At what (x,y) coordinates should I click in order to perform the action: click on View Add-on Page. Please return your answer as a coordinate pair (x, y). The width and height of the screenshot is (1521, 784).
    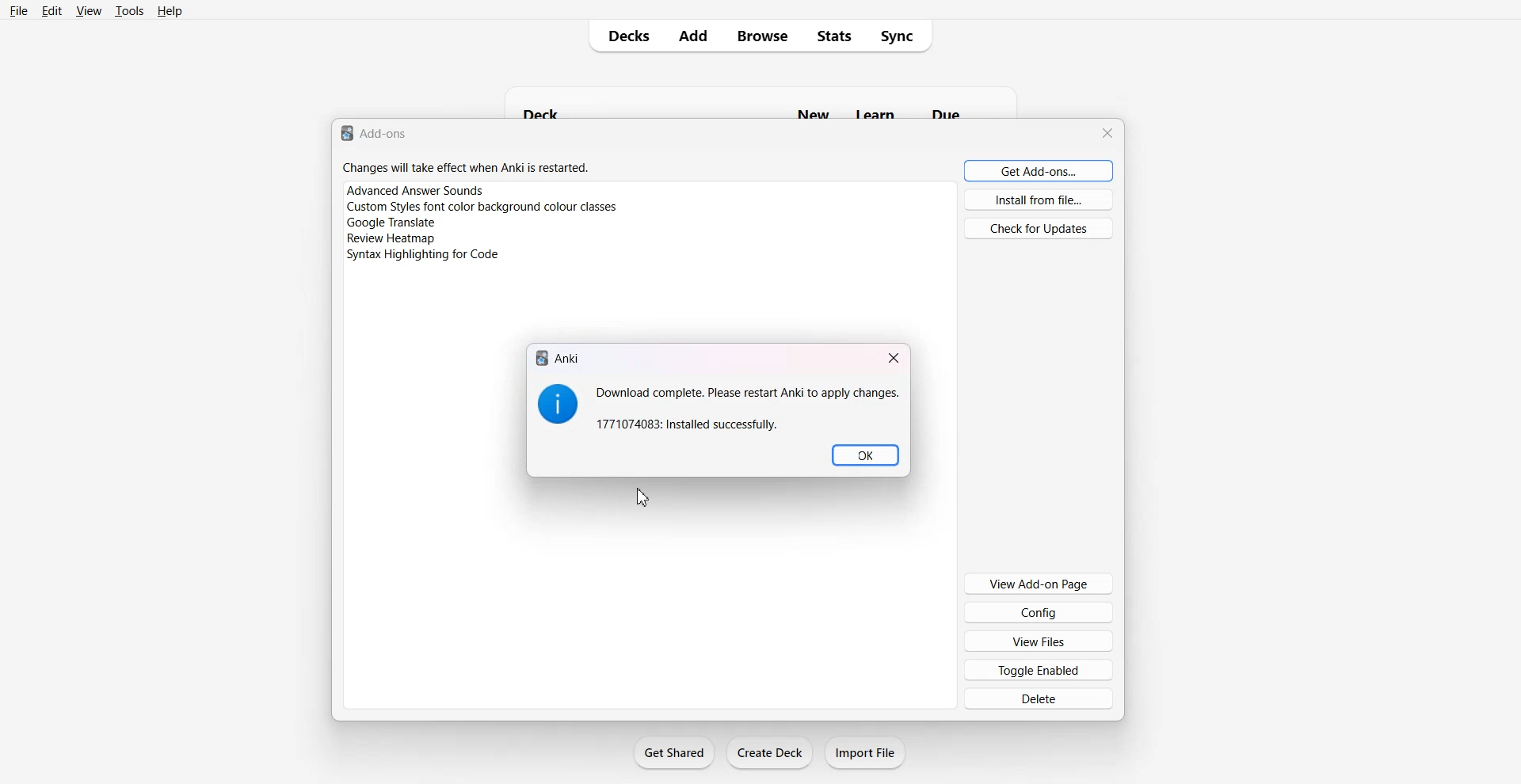
    Looking at the image, I should click on (1039, 584).